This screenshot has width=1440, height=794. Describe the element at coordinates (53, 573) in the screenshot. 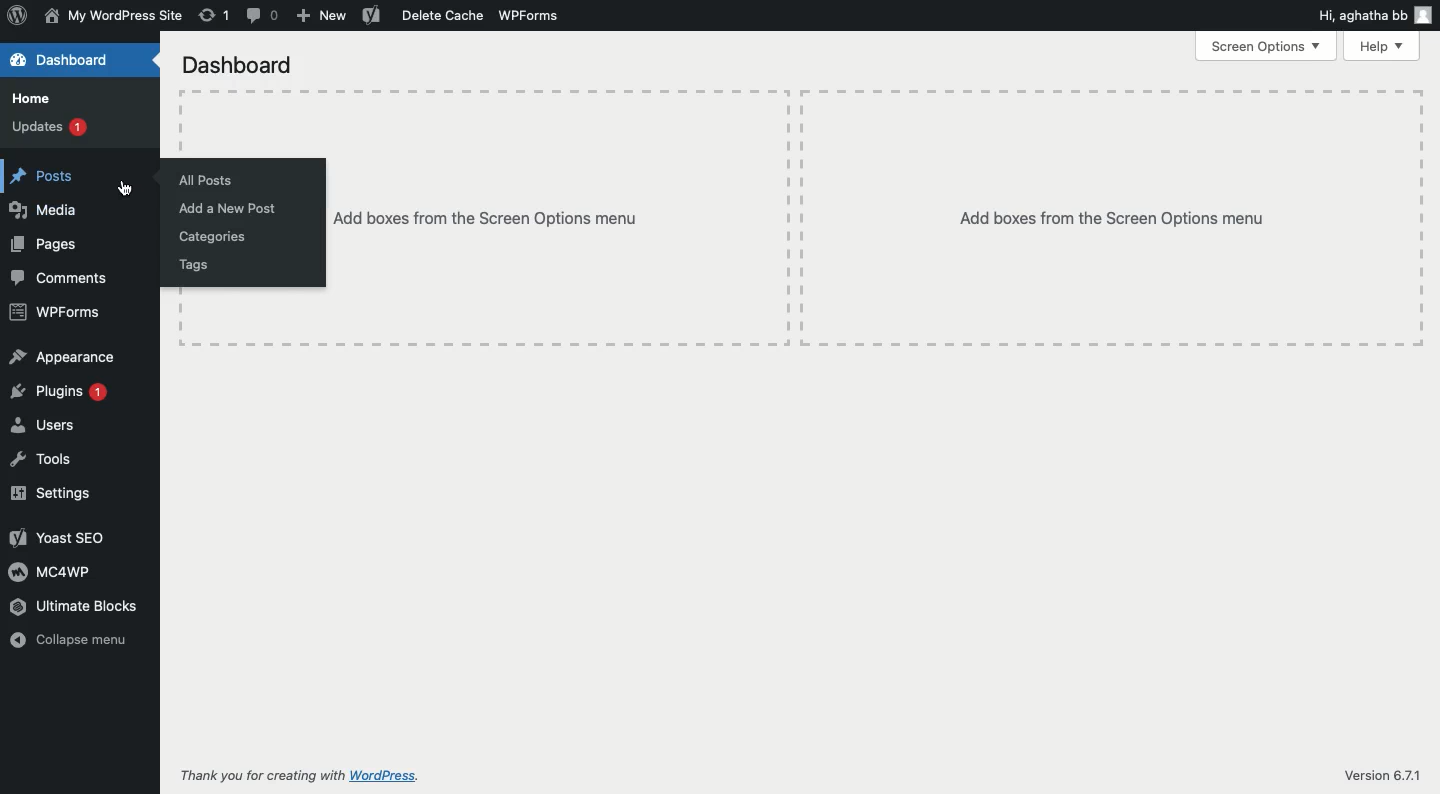

I see ` Mc4wp` at that location.